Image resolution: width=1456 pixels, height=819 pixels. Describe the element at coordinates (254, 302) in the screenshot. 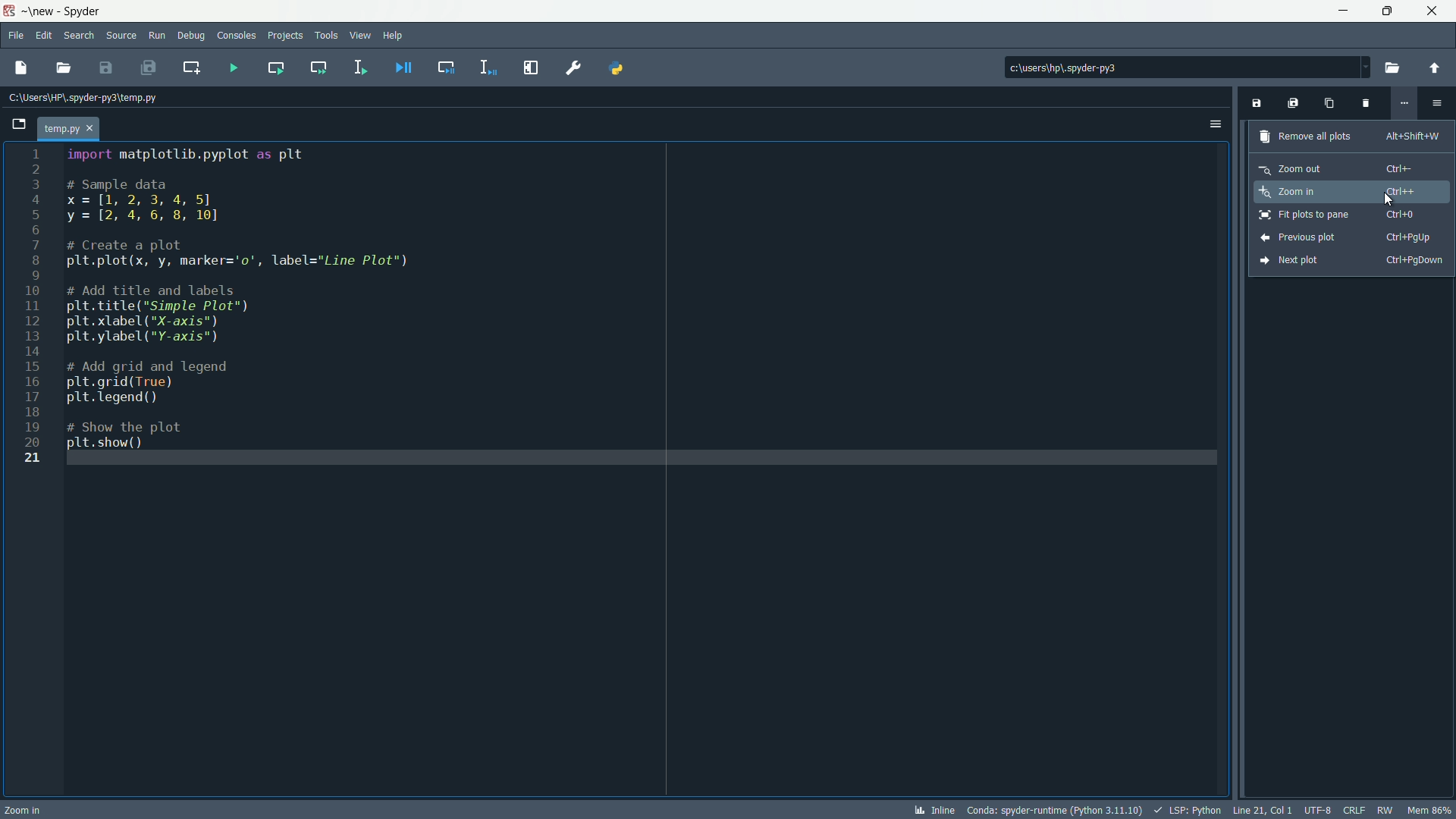

I see `import matplotlib.pyplot as plt
# Sample data

x=1[1, 2, 3, 4, 5]

y=12, 4, 6, 8, 10]

# Create a plot

plt.plot(x, y, marker='o', label="Line Plot")
# Add title and labels
plt.title("Simple Plot")
plt.xlabel ("X-axis")

plt.ylabel ("Y-axis")

# Add grid and legend
plt.grid(True)

plt.legend()

# Show the plot

plt. show()` at that location.